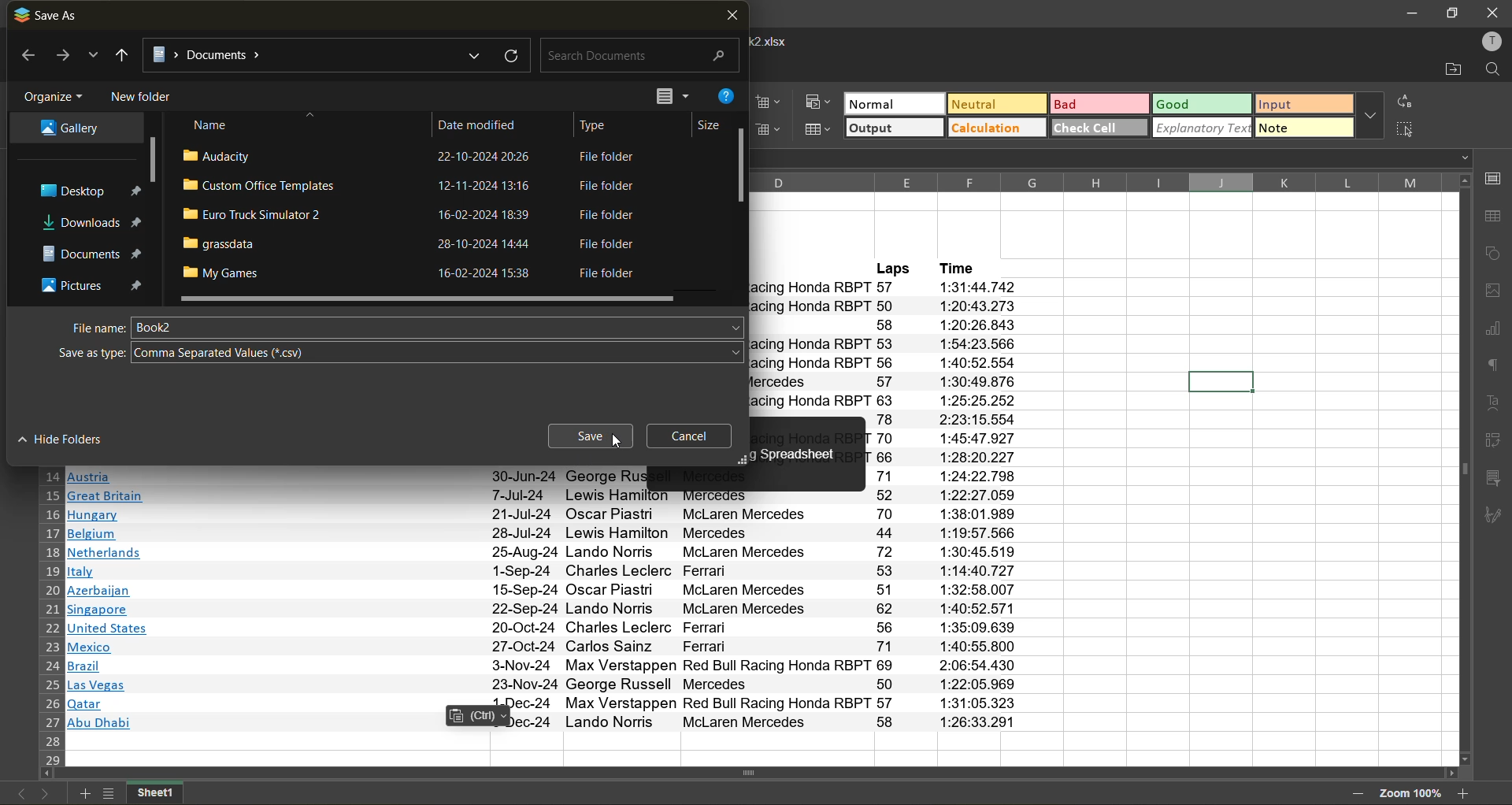 This screenshot has height=805, width=1512. I want to click on file, so click(406, 158).